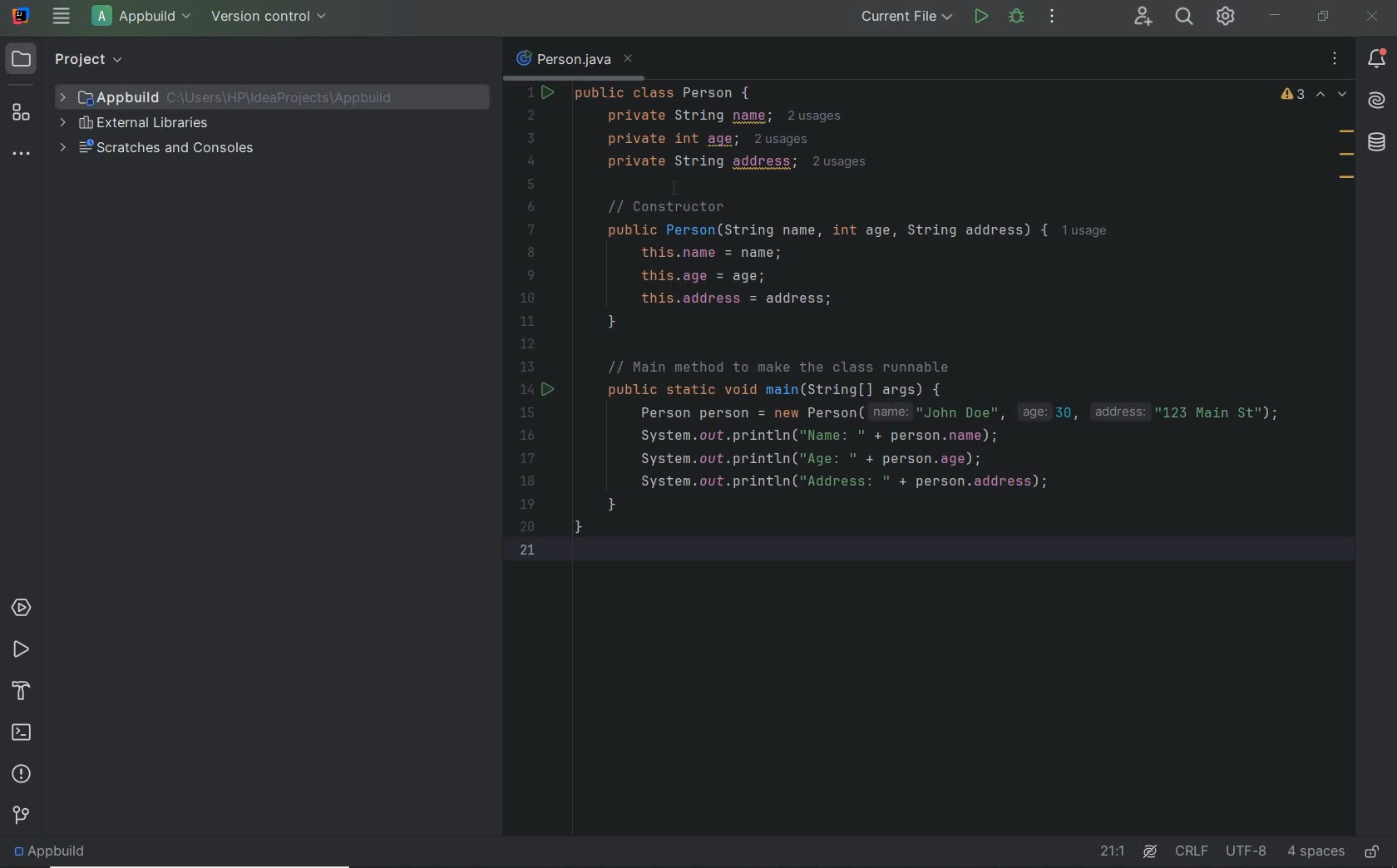 The width and height of the screenshot is (1397, 868). Describe the element at coordinates (1052, 18) in the screenshot. I see `more actions` at that location.